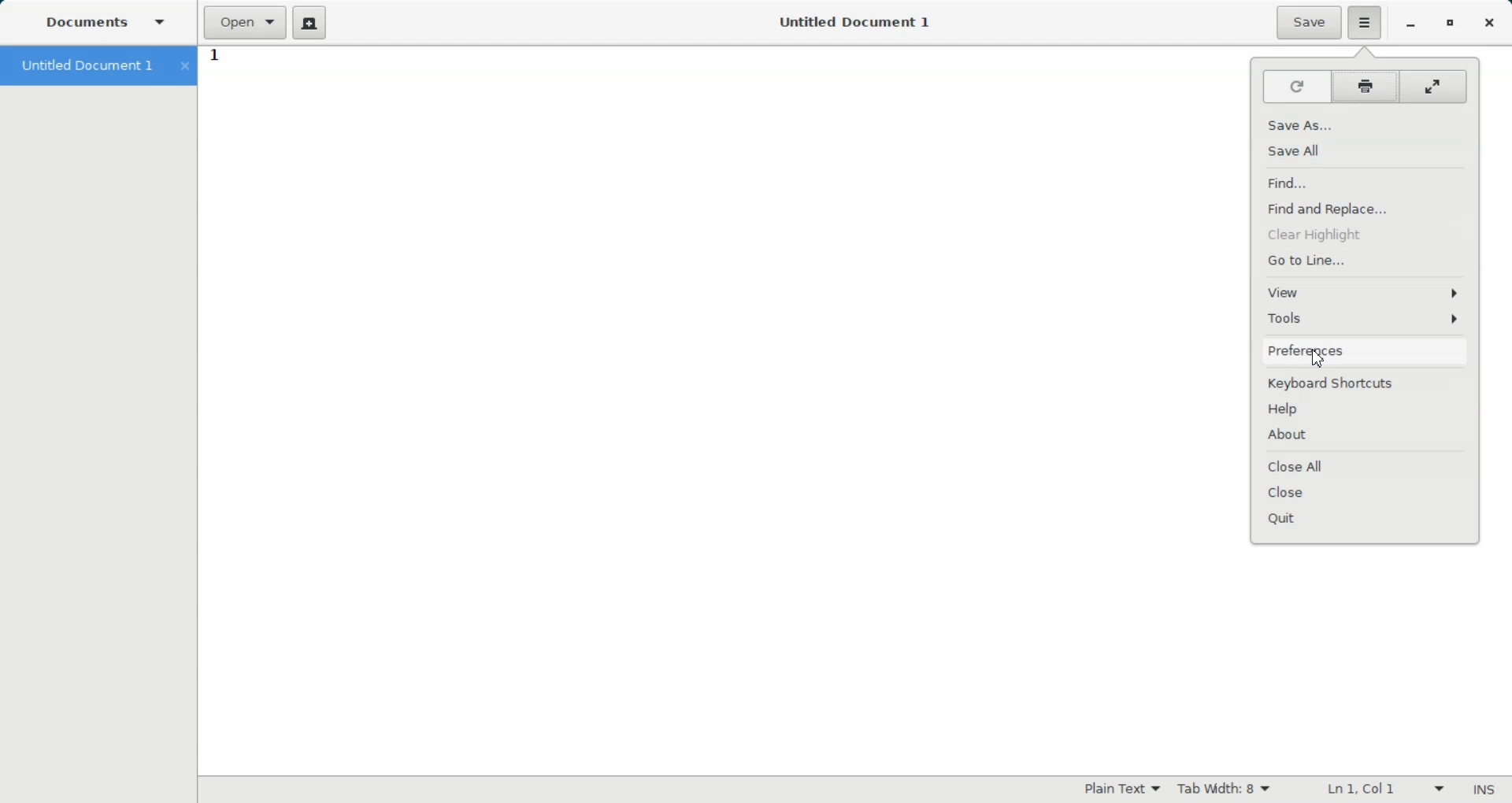 The width and height of the screenshot is (1512, 803). I want to click on Save, so click(1309, 22).